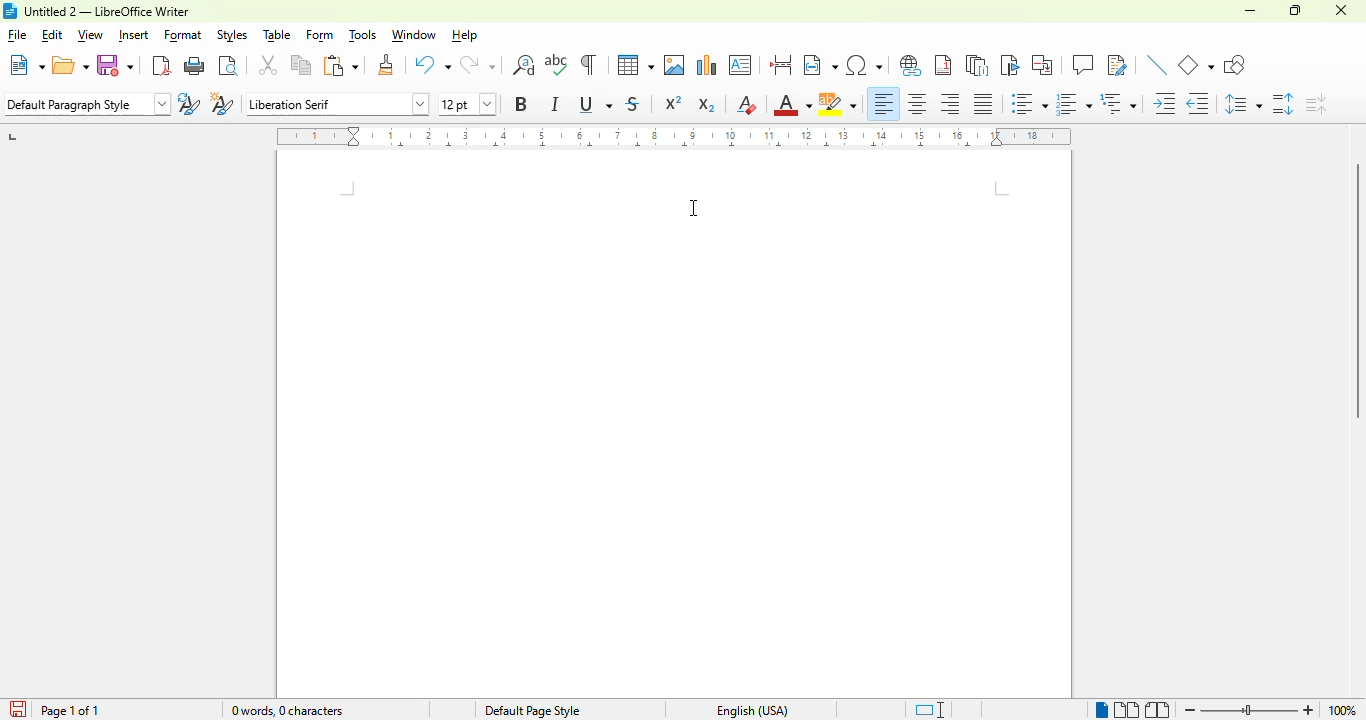  What do you see at coordinates (531, 710) in the screenshot?
I see `page style` at bounding box center [531, 710].